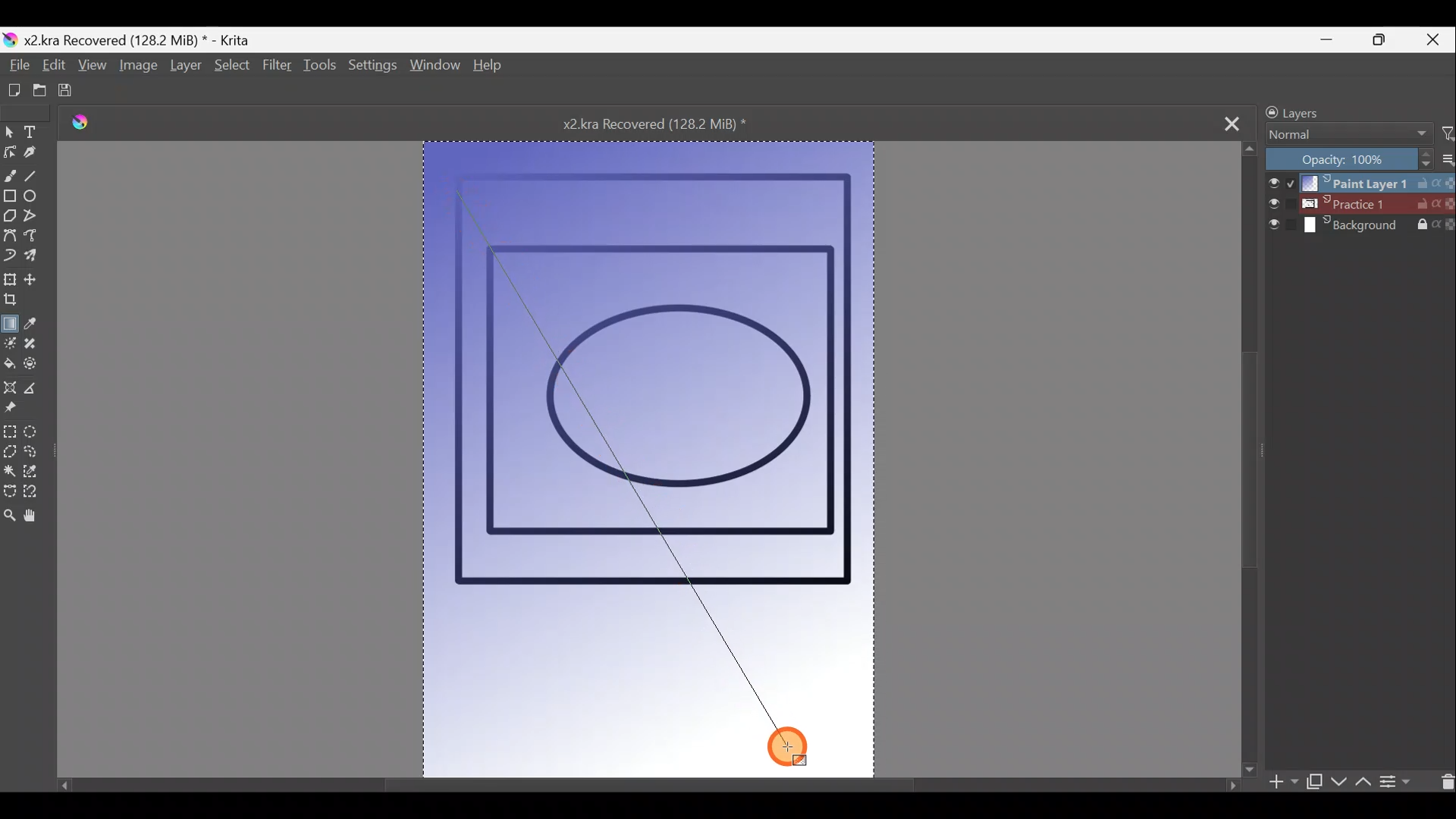 Image resolution: width=1456 pixels, height=819 pixels. What do you see at coordinates (322, 69) in the screenshot?
I see `Tools` at bounding box center [322, 69].